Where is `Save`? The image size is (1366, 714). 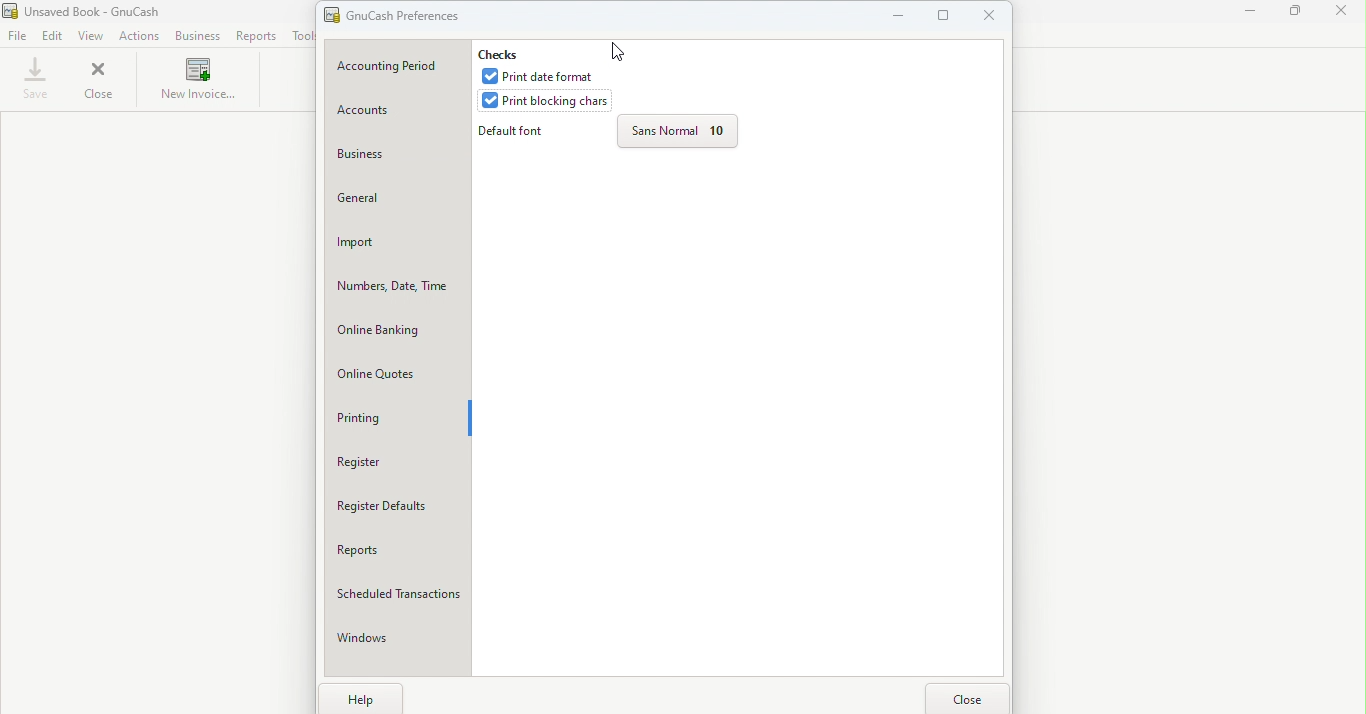 Save is located at coordinates (36, 79).